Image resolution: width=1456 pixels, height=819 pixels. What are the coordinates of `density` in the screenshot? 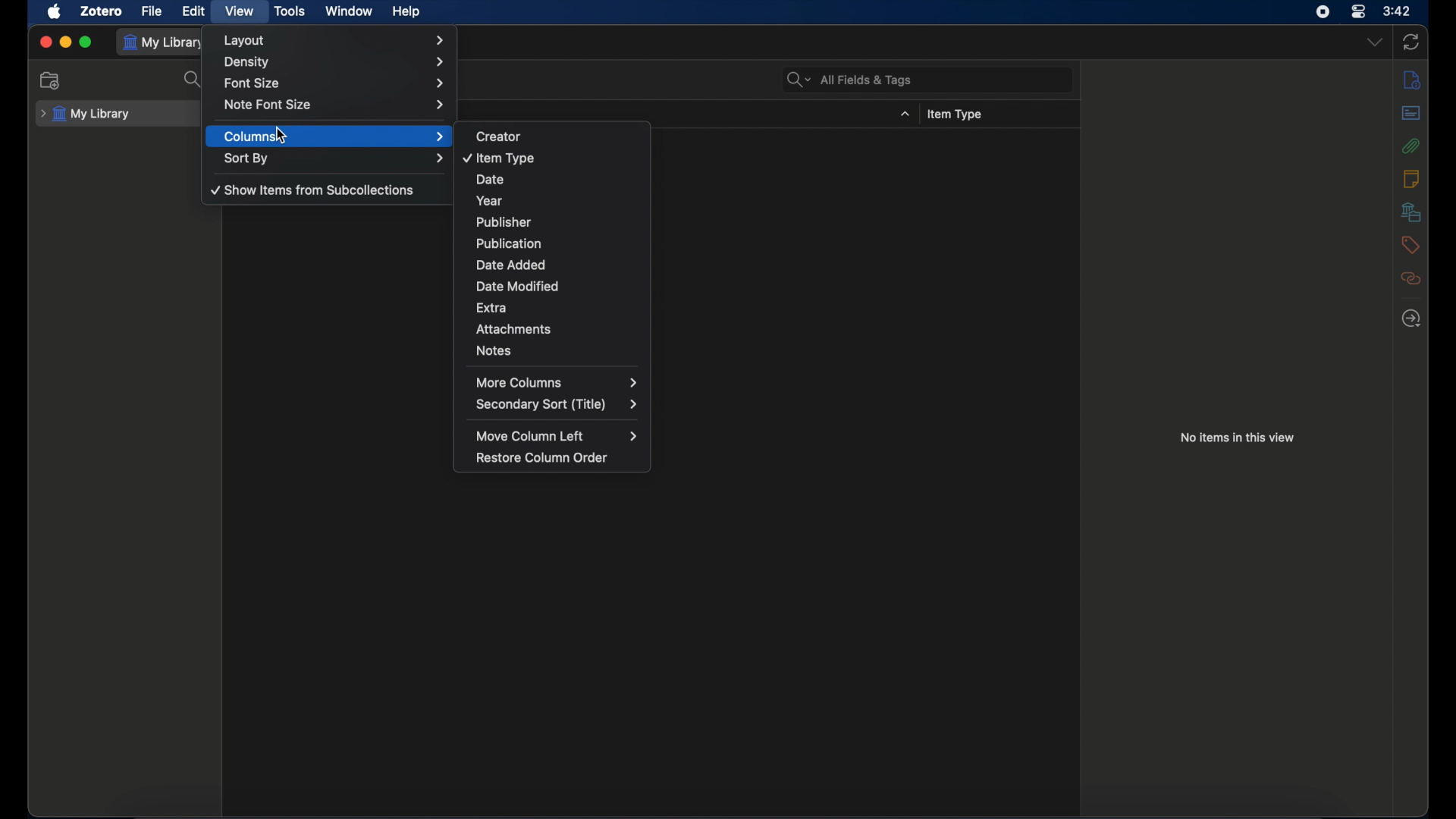 It's located at (334, 62).